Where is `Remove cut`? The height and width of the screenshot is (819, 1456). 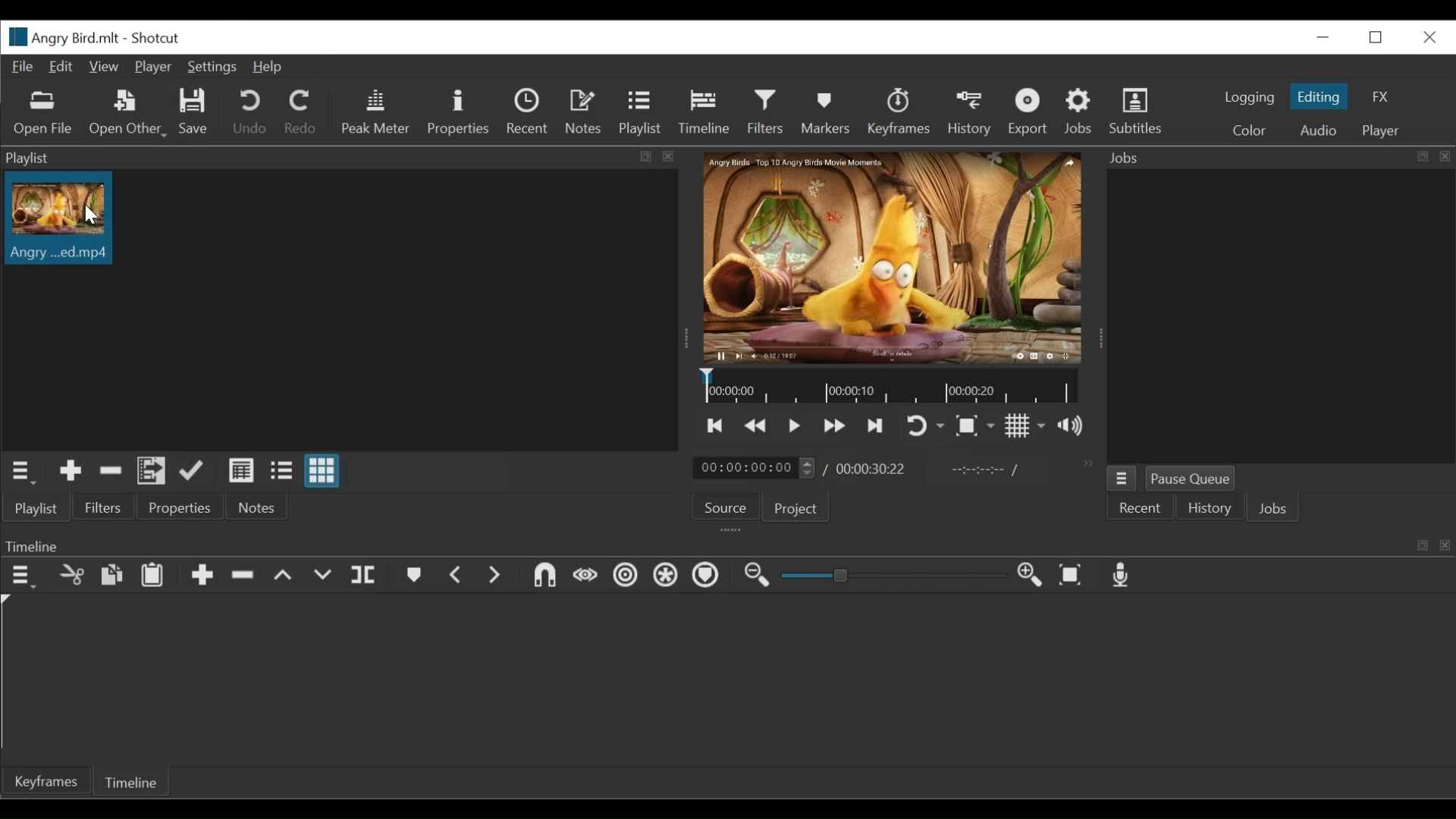
Remove cut is located at coordinates (111, 470).